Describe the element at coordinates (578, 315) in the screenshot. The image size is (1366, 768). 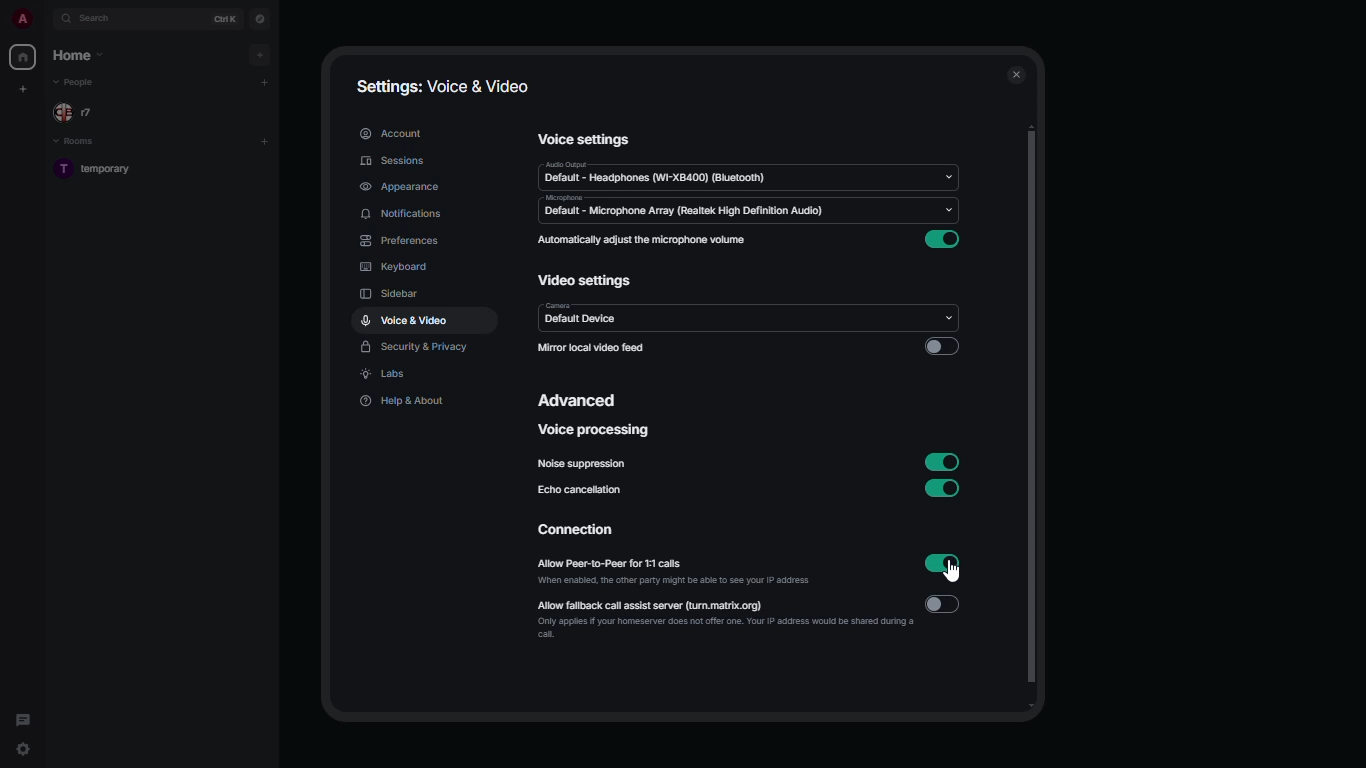
I see `camera default` at that location.